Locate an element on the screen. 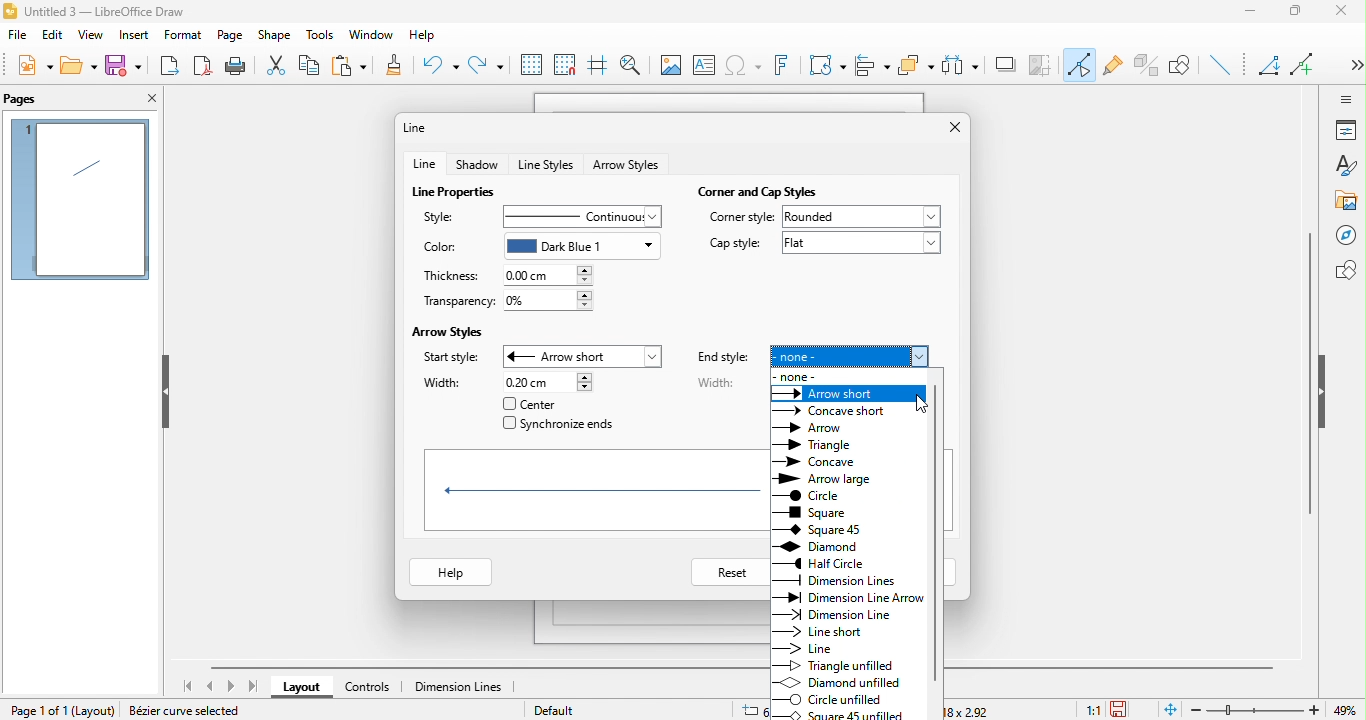  insert is located at coordinates (132, 37).